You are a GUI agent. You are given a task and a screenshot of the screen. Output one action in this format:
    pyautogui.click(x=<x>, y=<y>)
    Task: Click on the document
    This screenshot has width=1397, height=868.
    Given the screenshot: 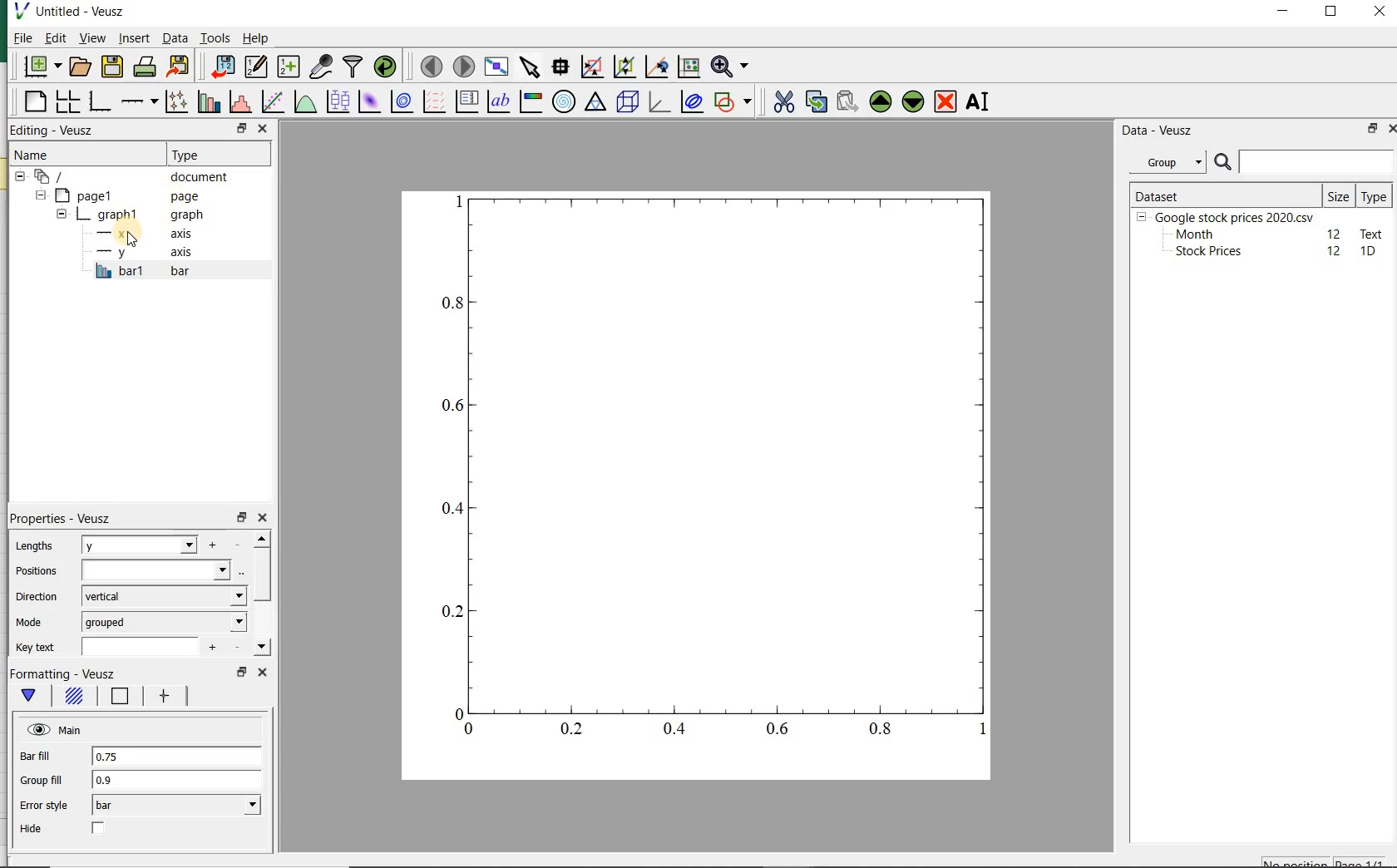 What is the action you would take?
    pyautogui.click(x=129, y=177)
    